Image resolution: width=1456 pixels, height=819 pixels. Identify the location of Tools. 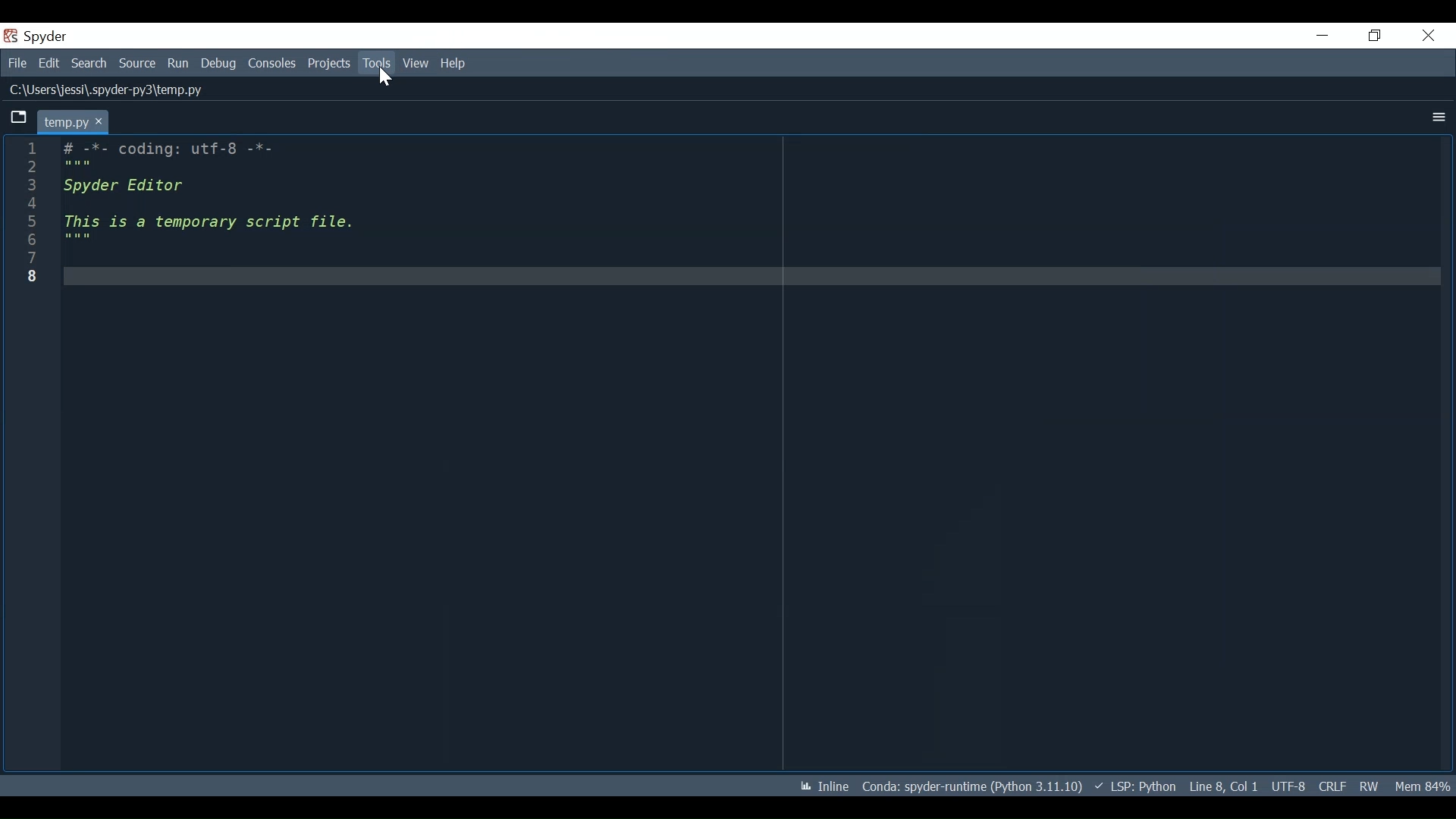
(375, 63).